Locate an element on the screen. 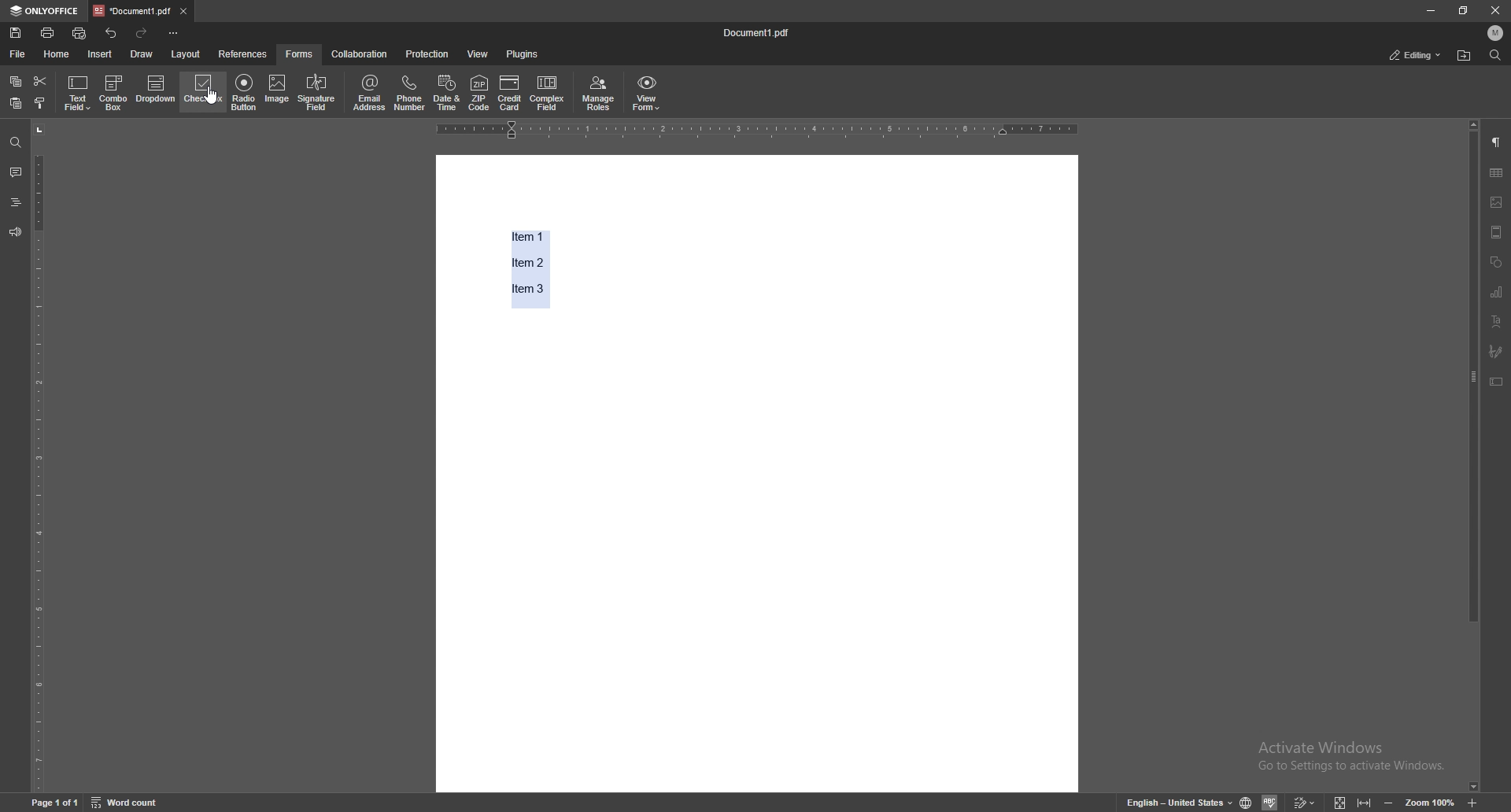 The height and width of the screenshot is (812, 1511). forms is located at coordinates (300, 54).